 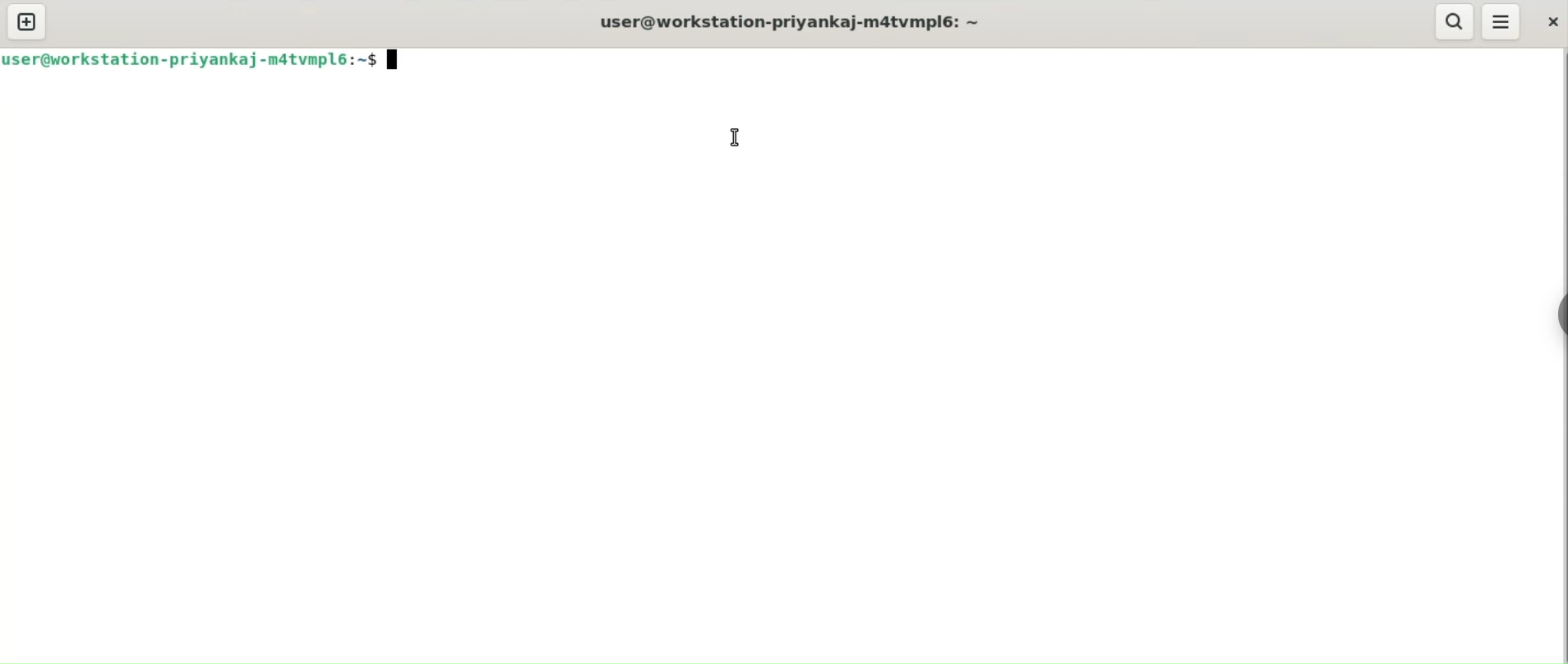 I want to click on cursor, so click(x=736, y=137).